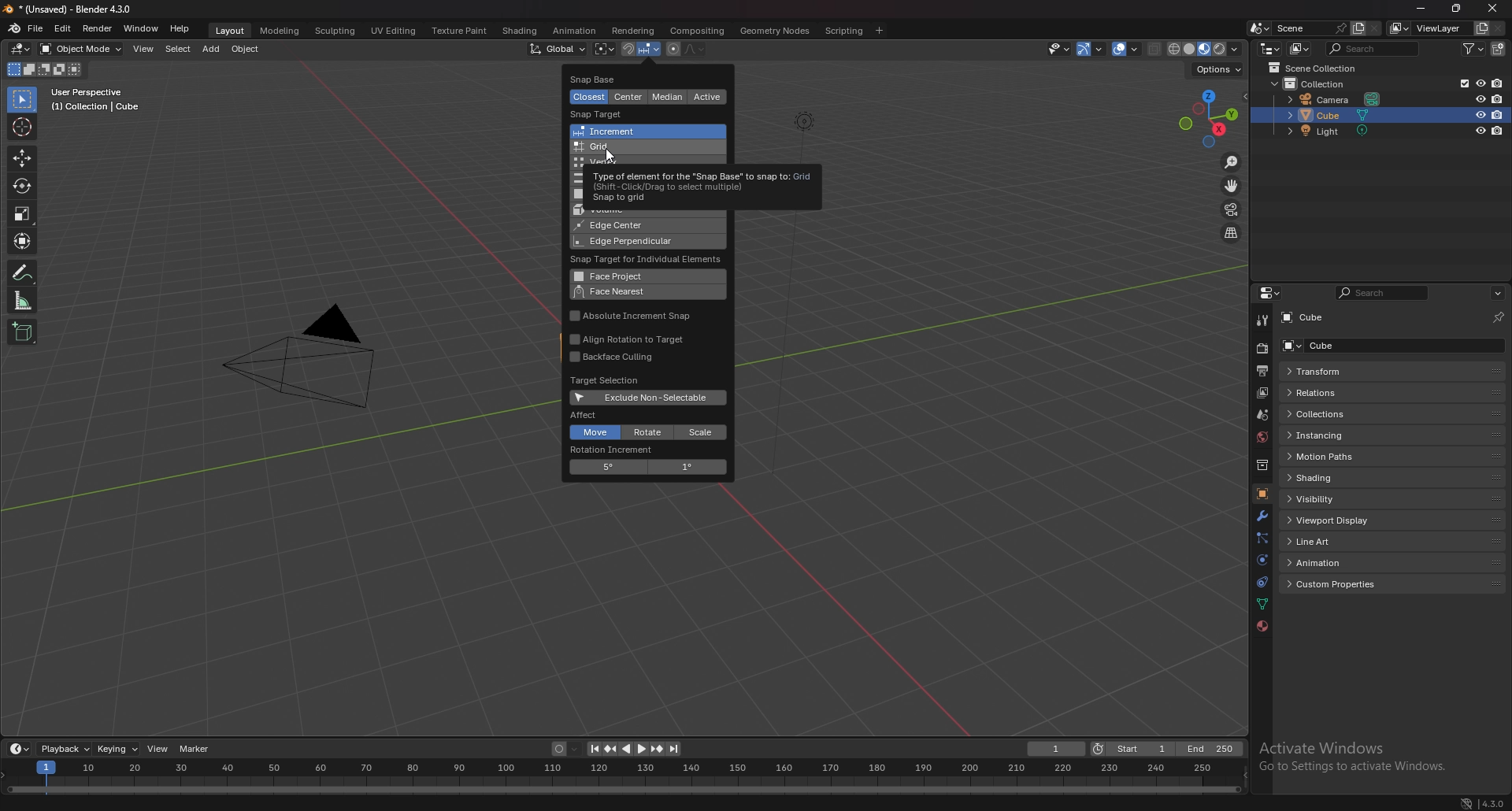 The width and height of the screenshot is (1512, 811). I want to click on object mode, so click(82, 49).